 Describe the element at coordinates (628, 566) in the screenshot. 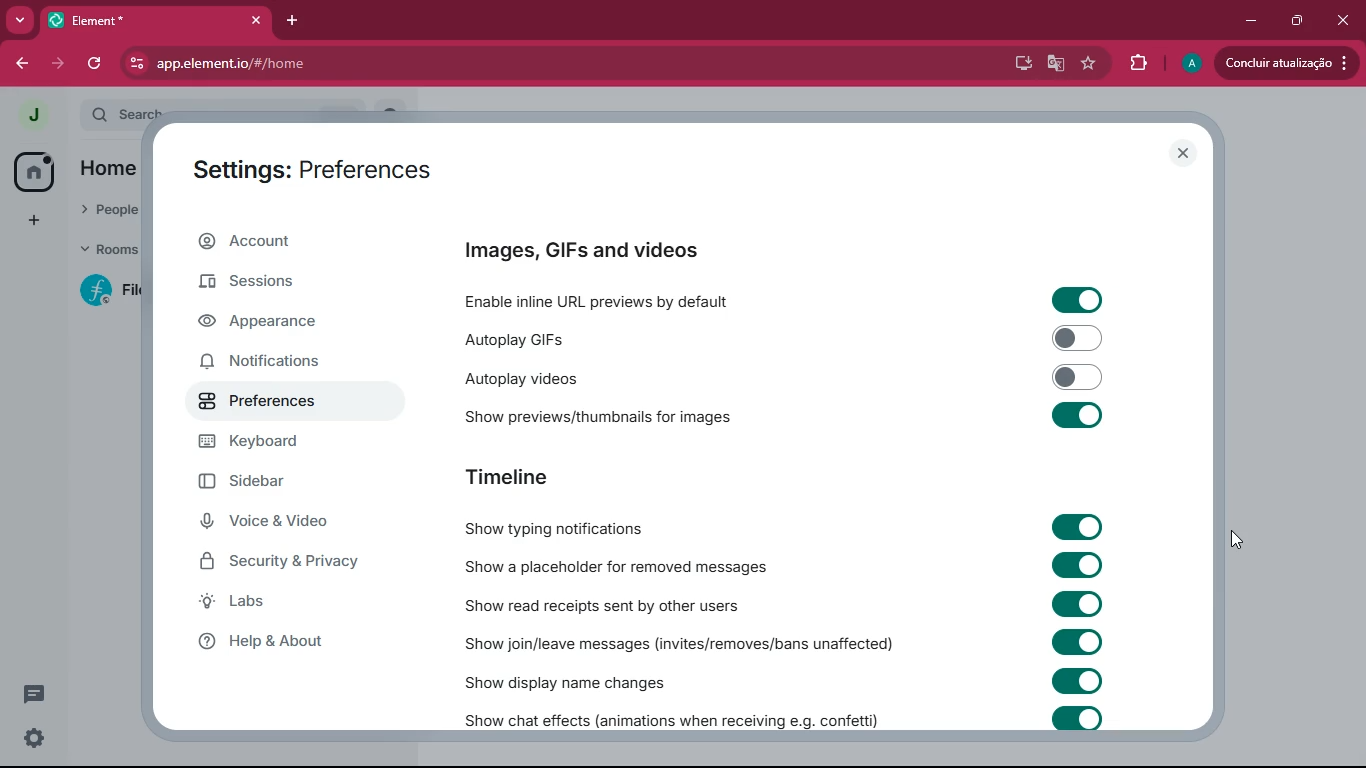

I see `show a placeholder for removed messages` at that location.